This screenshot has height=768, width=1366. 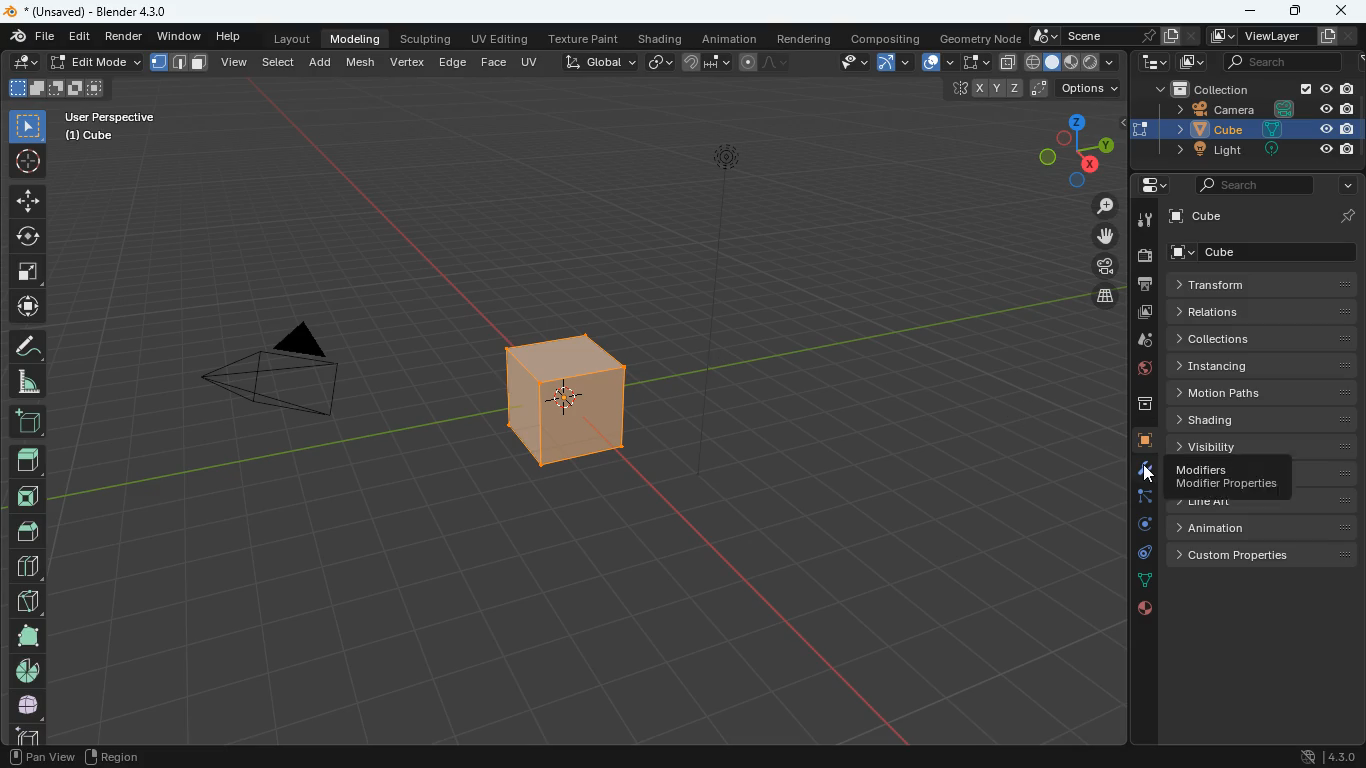 What do you see at coordinates (1264, 366) in the screenshot?
I see `instancing` at bounding box center [1264, 366].